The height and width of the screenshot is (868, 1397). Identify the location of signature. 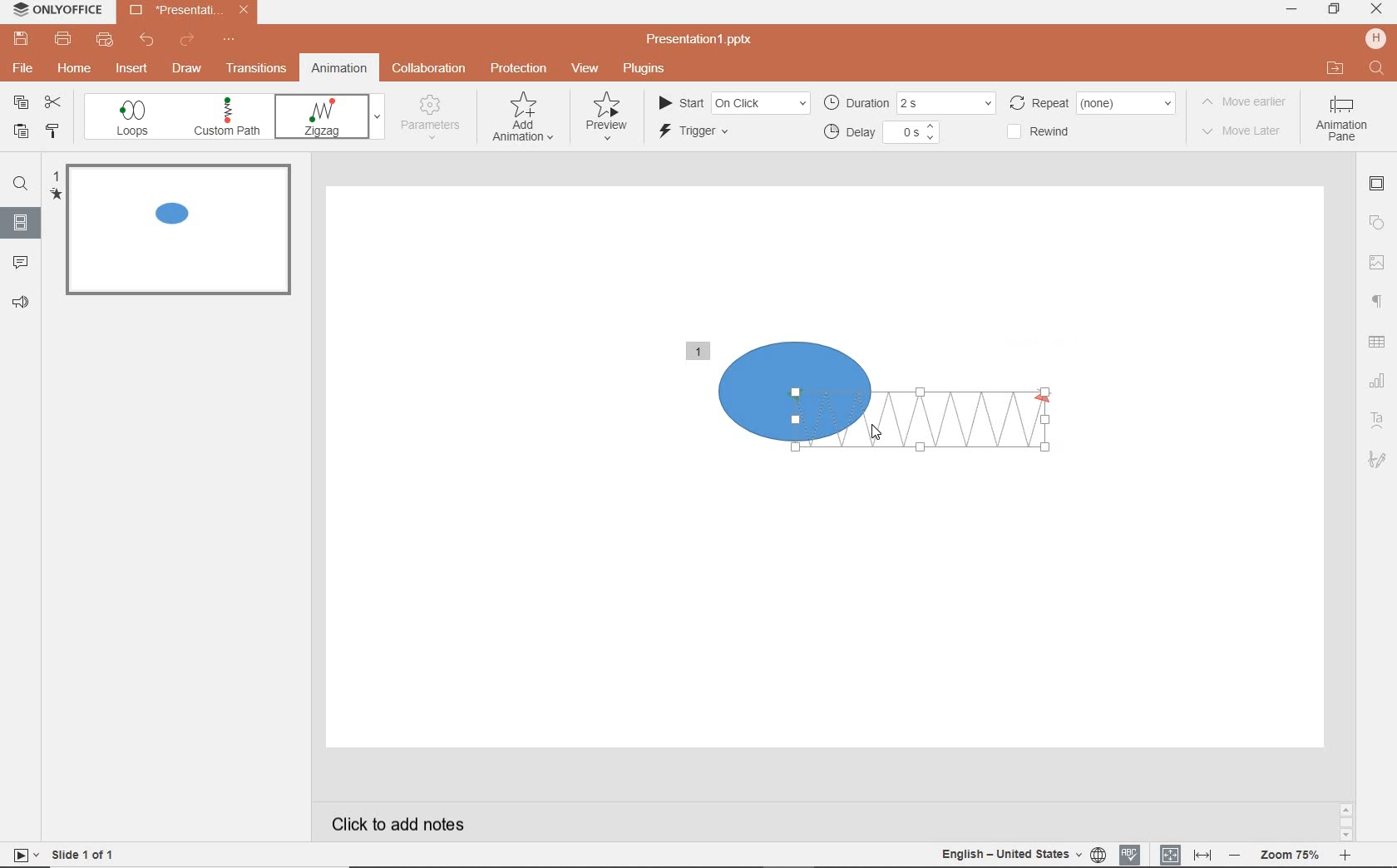
(1377, 461).